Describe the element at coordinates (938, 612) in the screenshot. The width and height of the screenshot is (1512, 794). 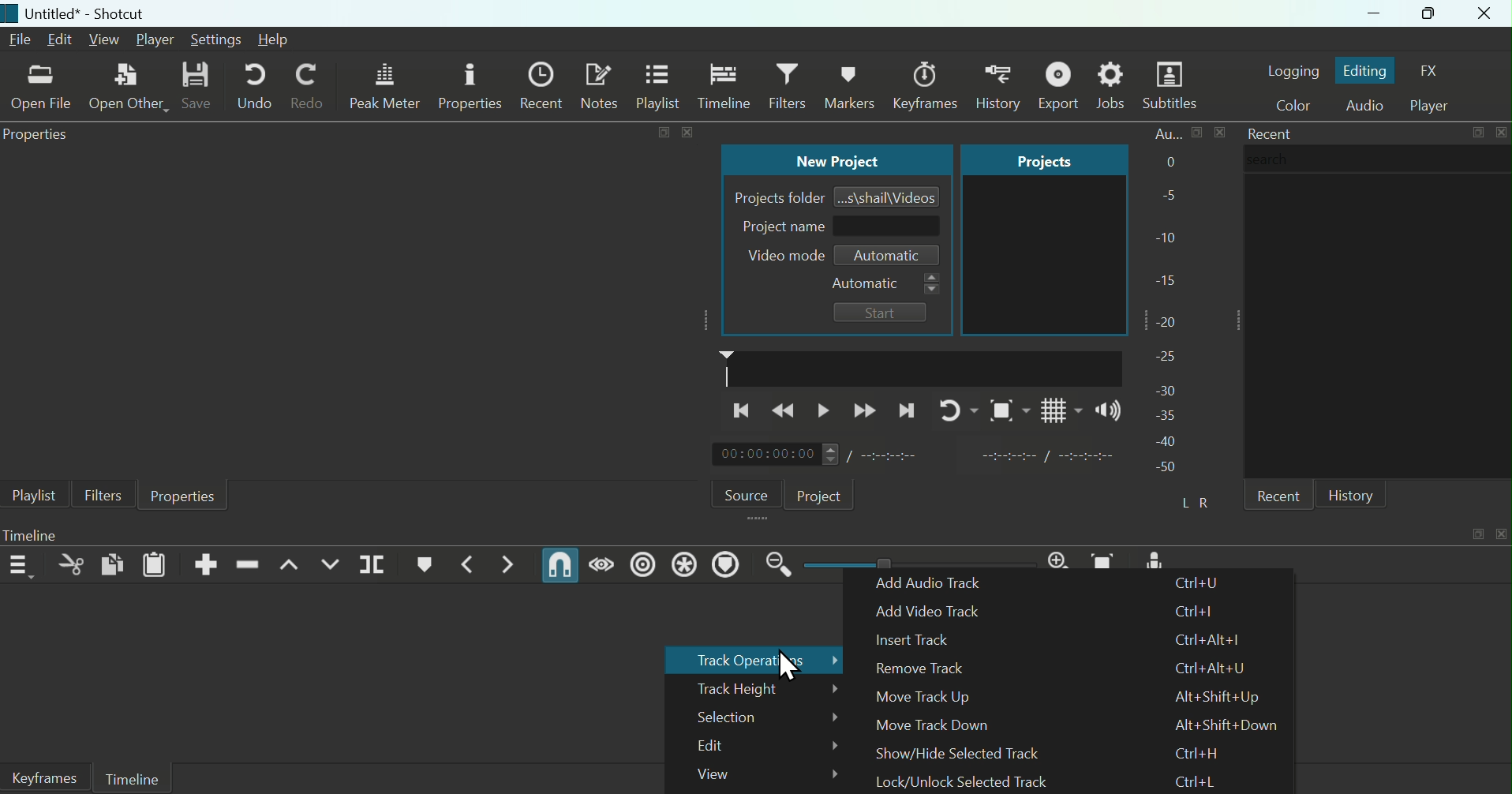
I see `Add Video Track` at that location.